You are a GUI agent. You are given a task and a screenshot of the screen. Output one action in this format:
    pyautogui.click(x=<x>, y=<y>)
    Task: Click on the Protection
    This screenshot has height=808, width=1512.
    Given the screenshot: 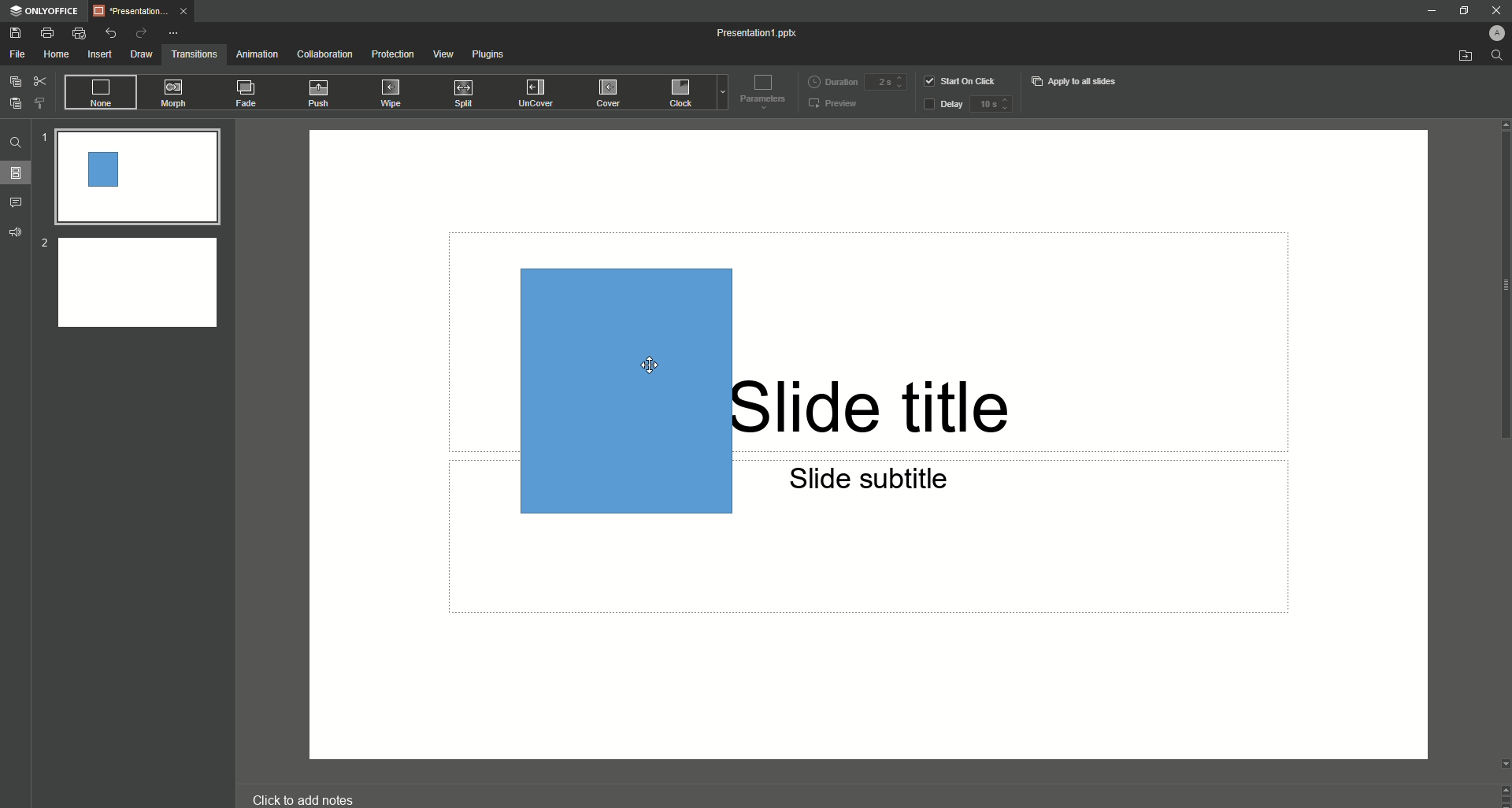 What is the action you would take?
    pyautogui.click(x=393, y=54)
    